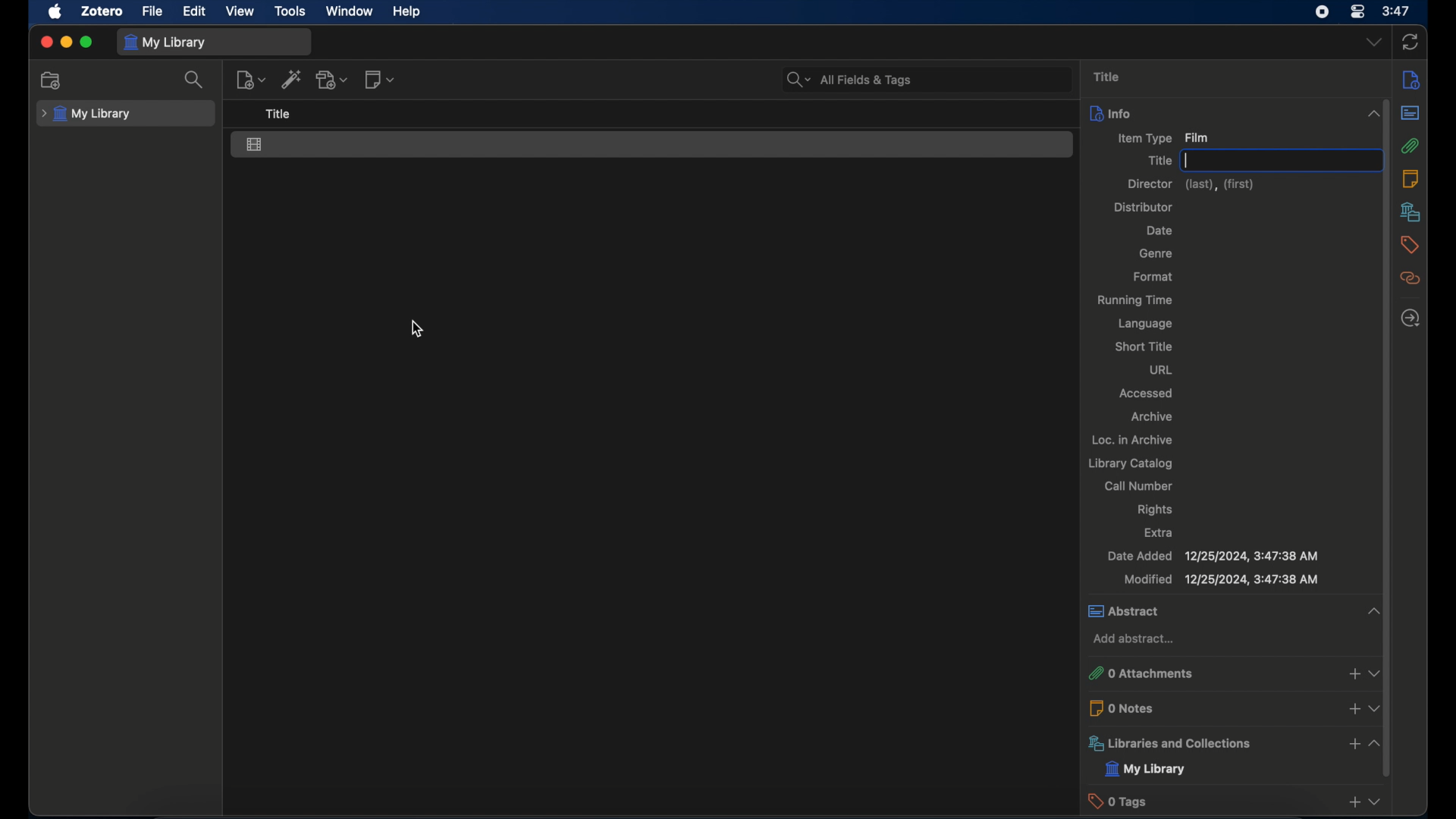  Describe the element at coordinates (849, 80) in the screenshot. I see `search bar` at that location.